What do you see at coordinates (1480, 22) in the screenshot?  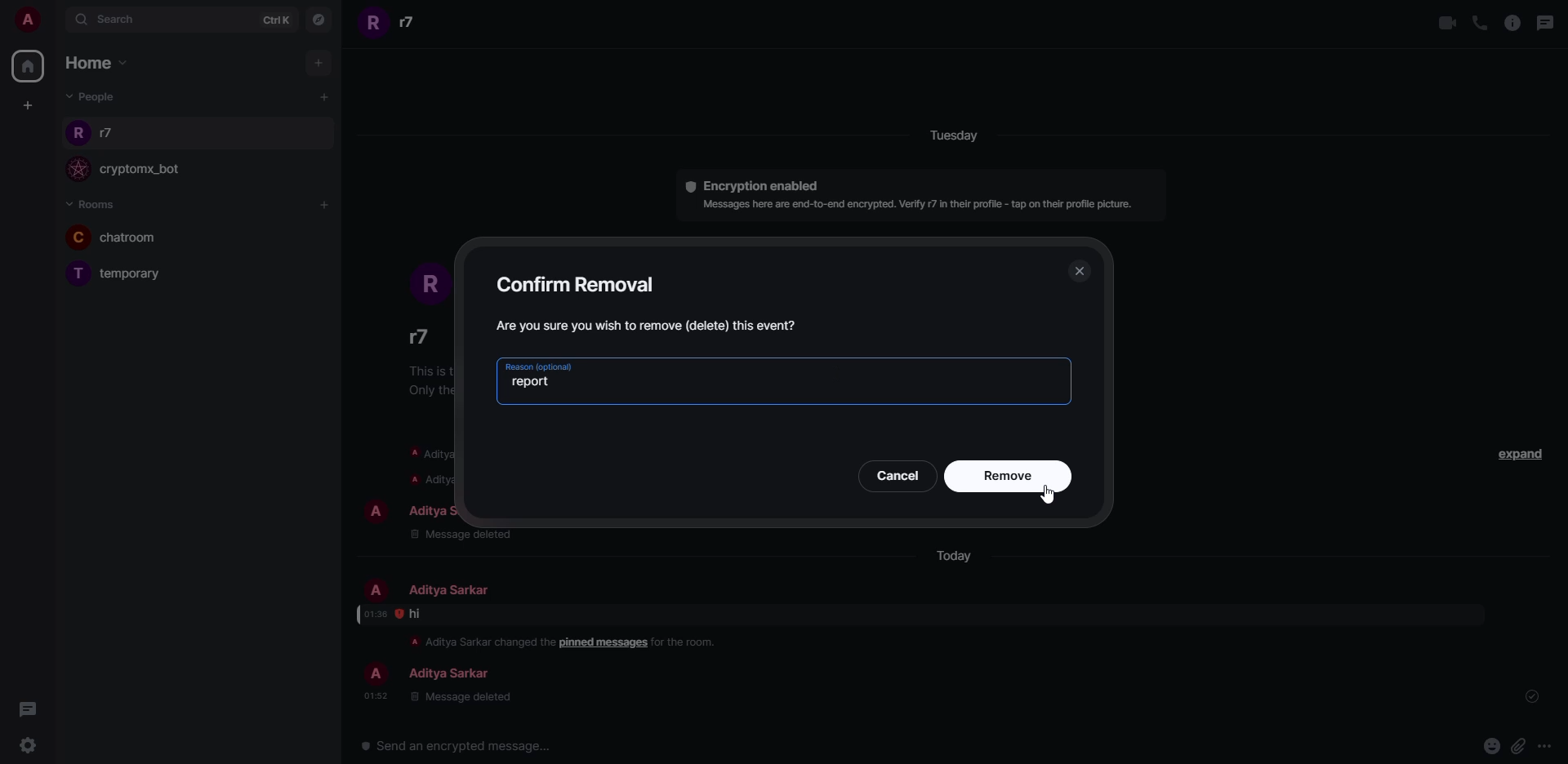 I see `voice call` at bounding box center [1480, 22].